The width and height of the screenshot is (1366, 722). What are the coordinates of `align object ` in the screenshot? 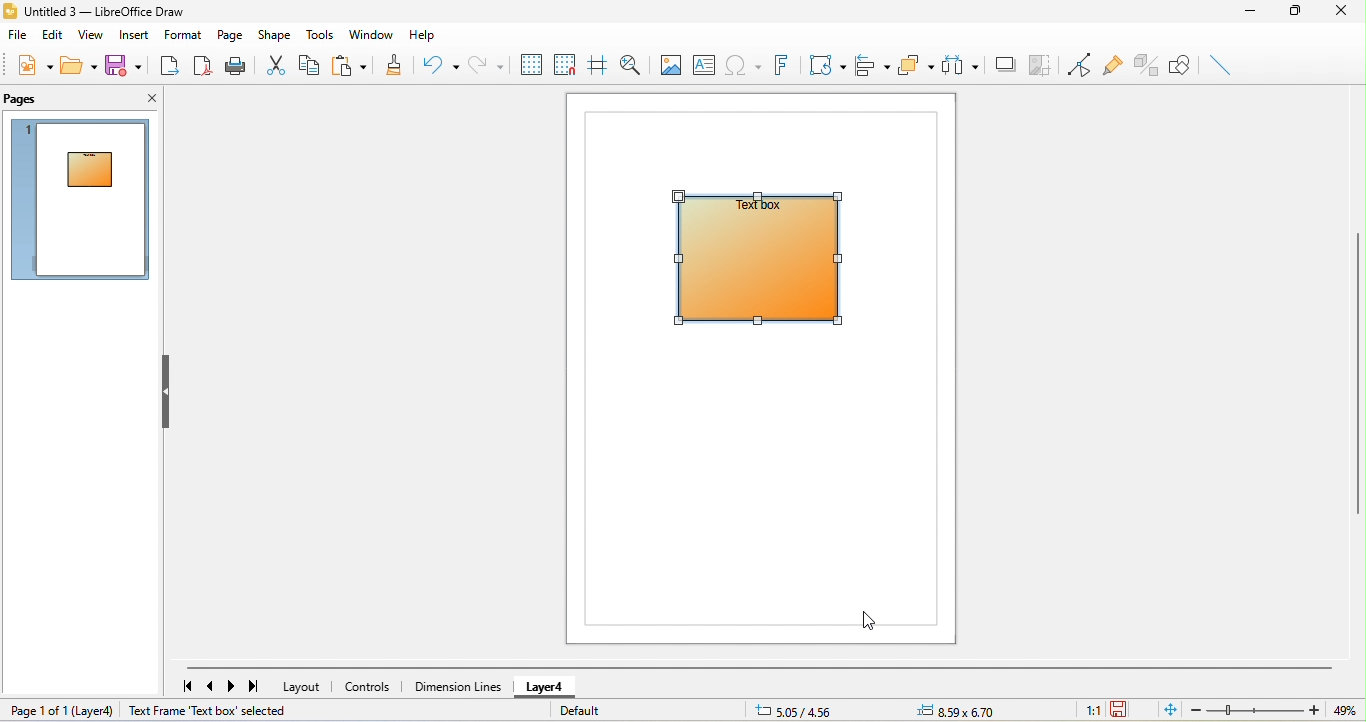 It's located at (873, 63).